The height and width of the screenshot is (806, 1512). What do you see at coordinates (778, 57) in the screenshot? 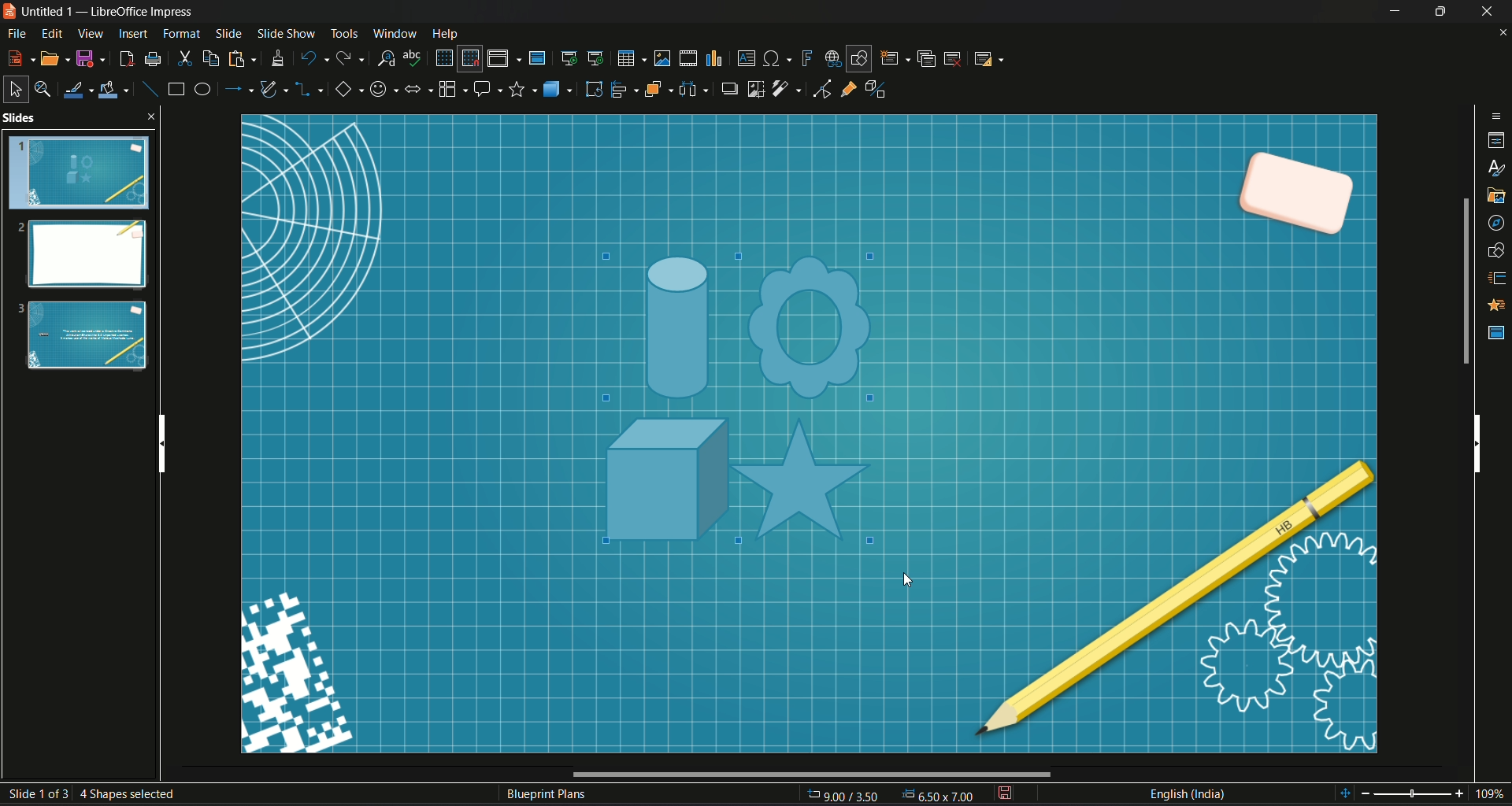
I see `insert special character` at bounding box center [778, 57].